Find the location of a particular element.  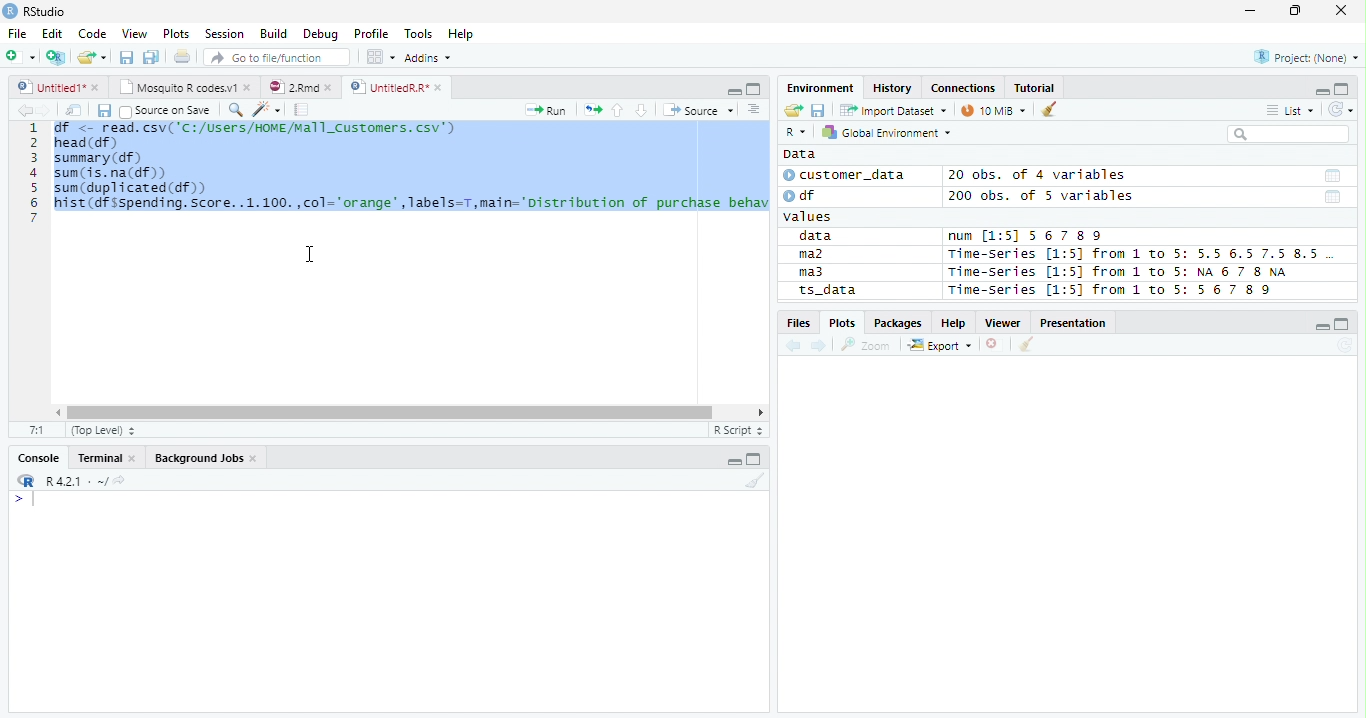

10 MiB is located at coordinates (995, 110).